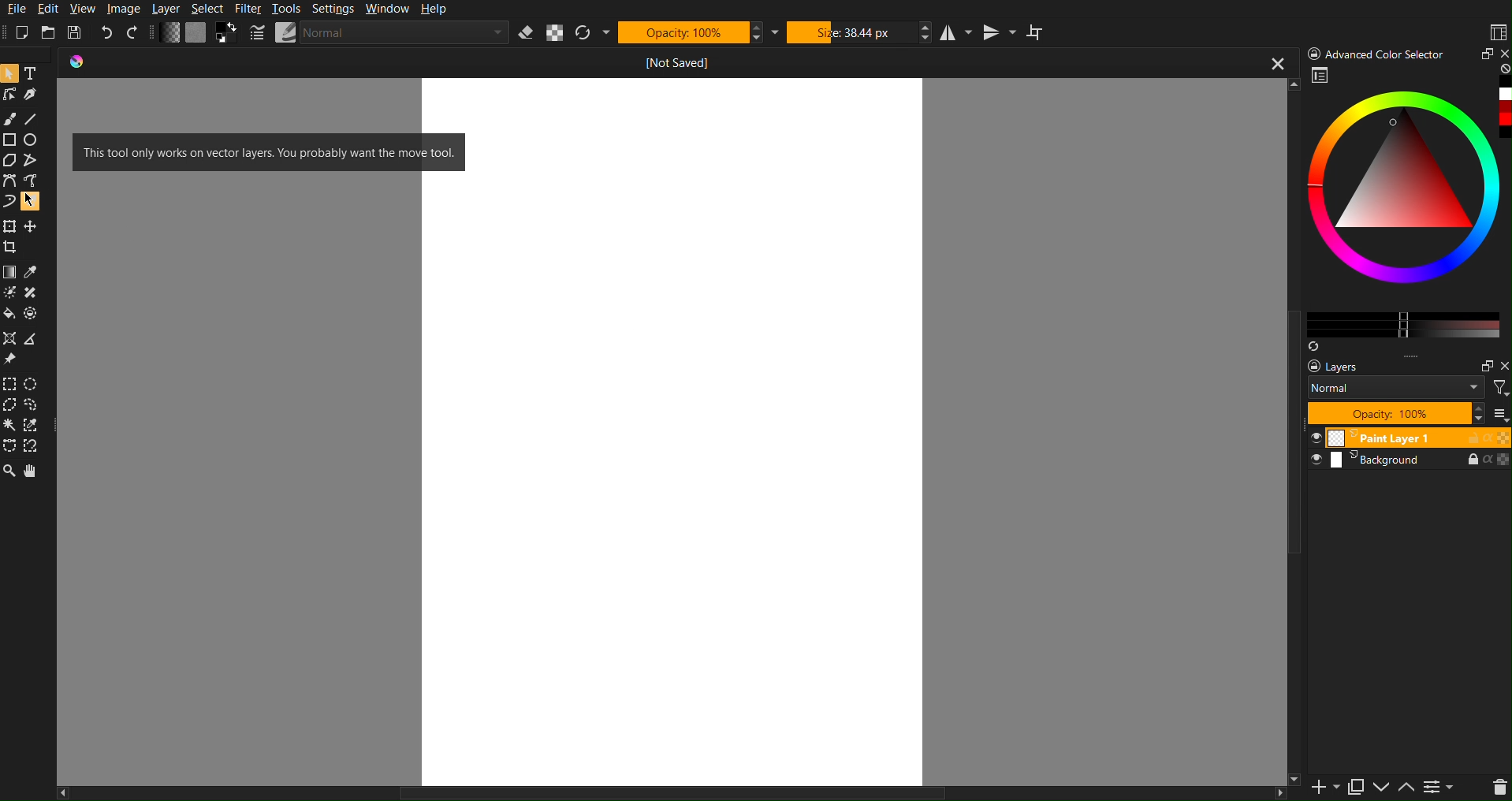  Describe the element at coordinates (594, 33) in the screenshot. I see `Refresh` at that location.